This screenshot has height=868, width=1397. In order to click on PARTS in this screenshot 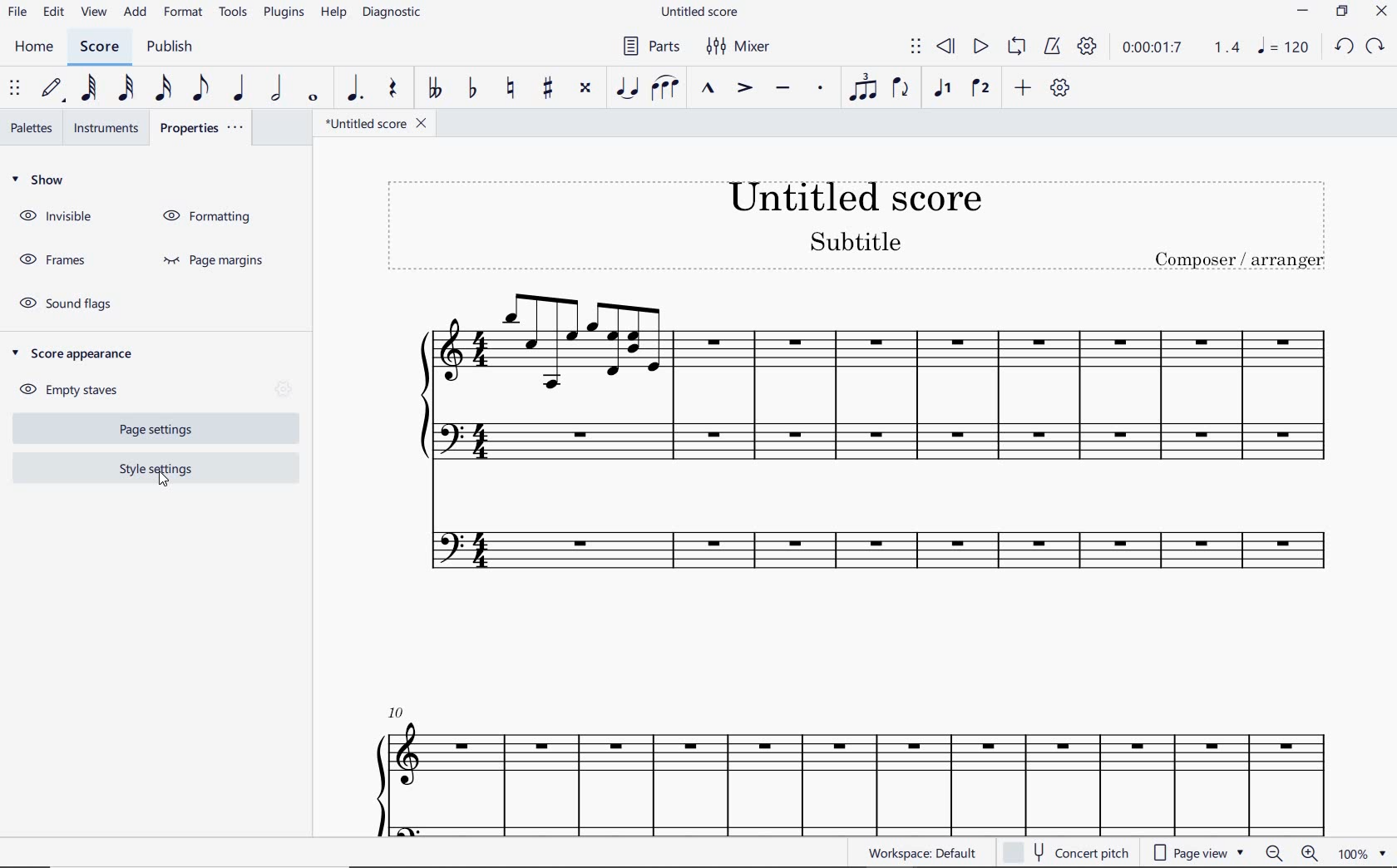, I will do `click(653, 47)`.